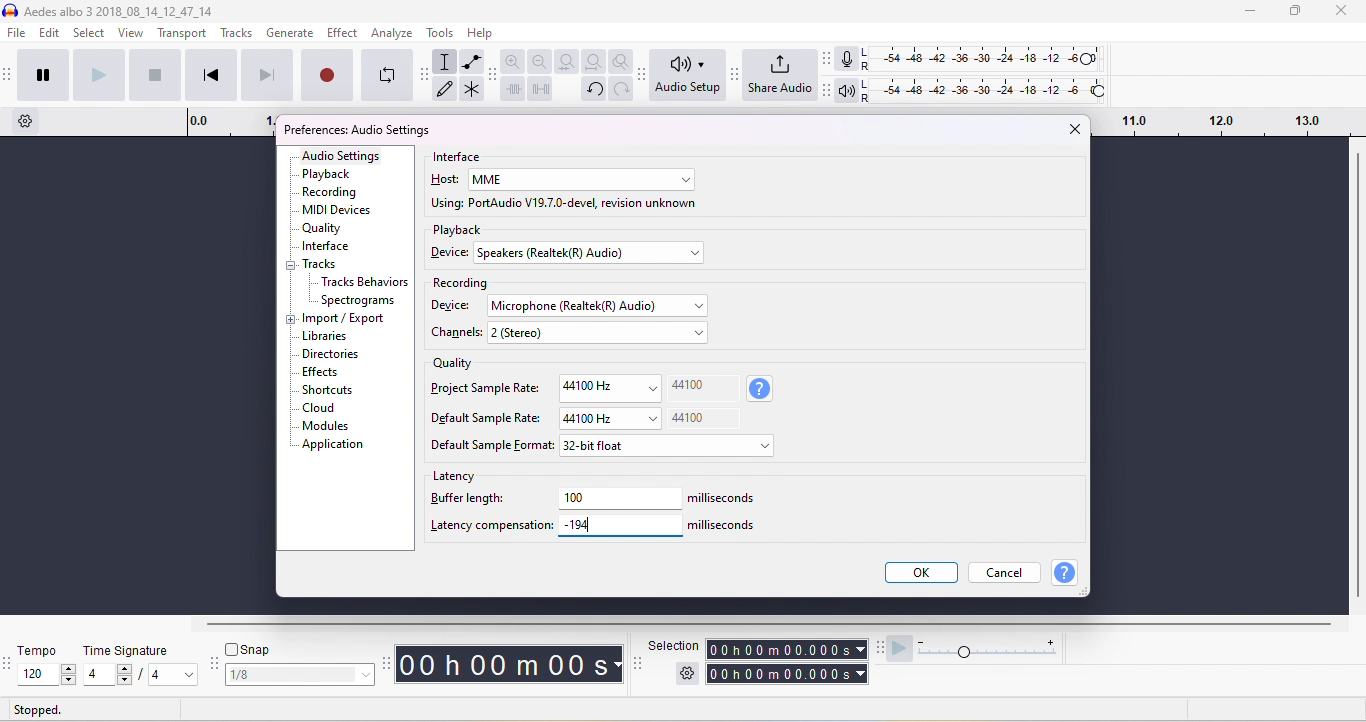  I want to click on audacity transport toolbar, so click(9, 74).